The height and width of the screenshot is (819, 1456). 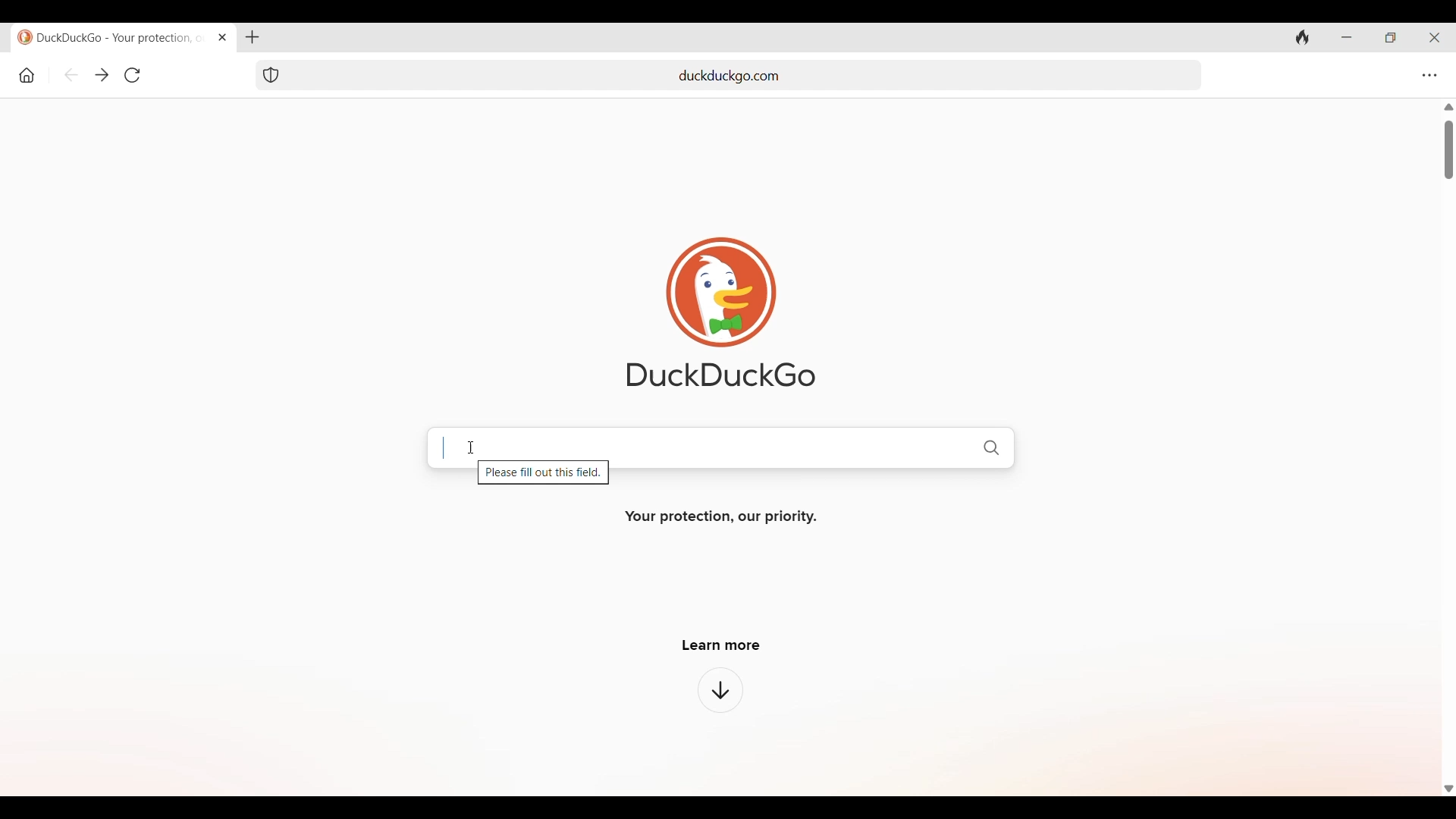 I want to click on Clear browsing history, so click(x=1303, y=36).